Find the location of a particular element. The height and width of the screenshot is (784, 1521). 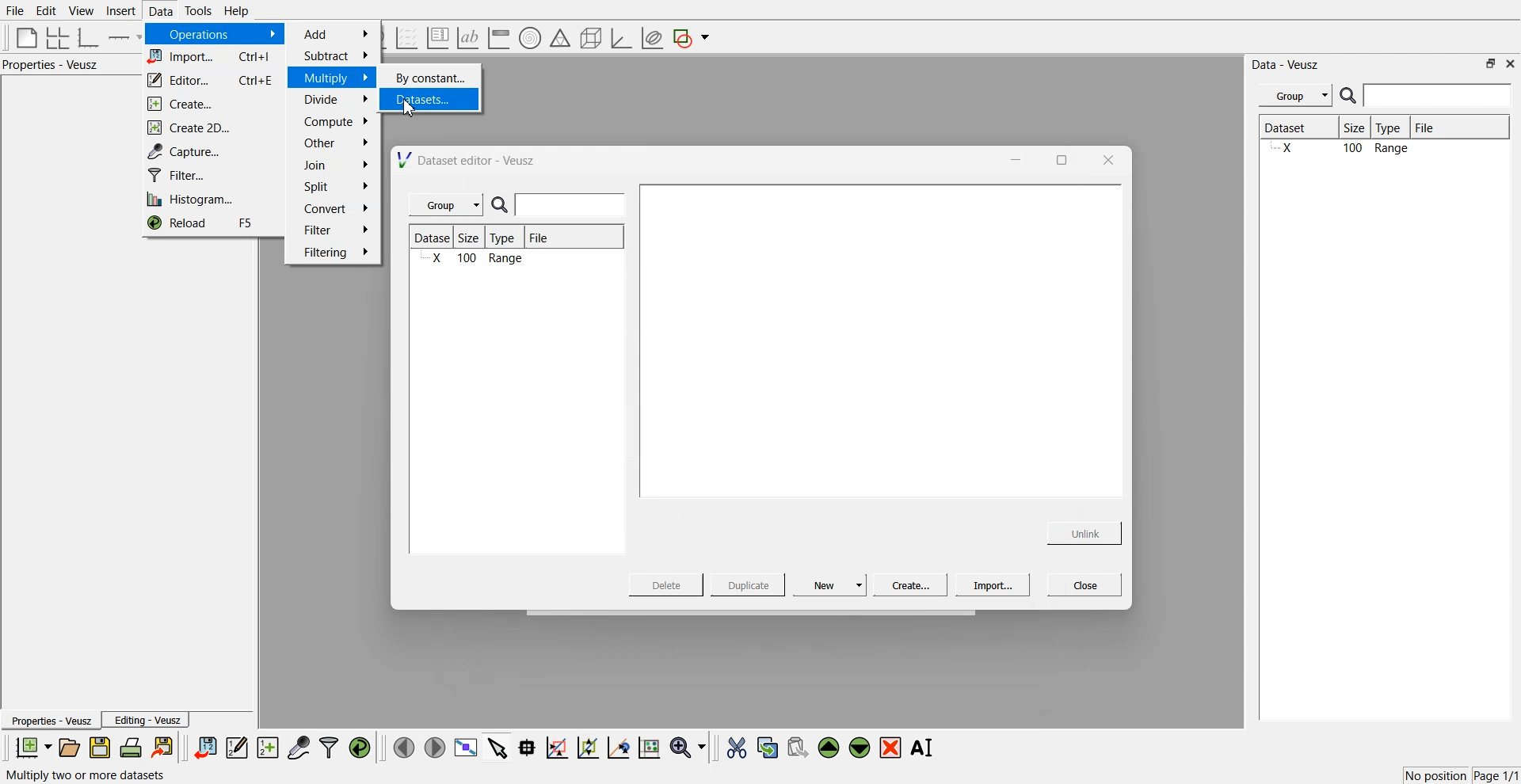

polar graph is located at coordinates (529, 40).